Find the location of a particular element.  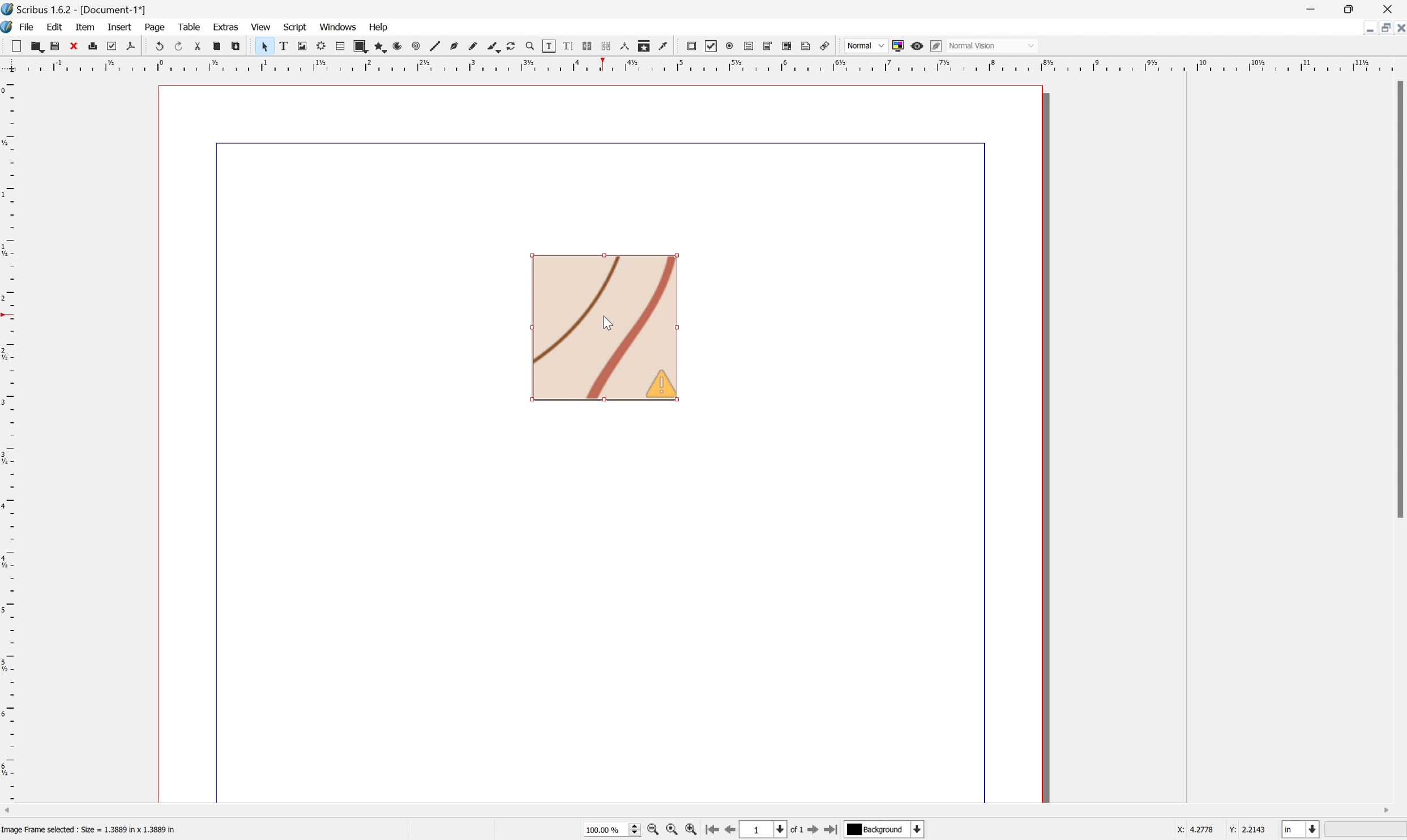

Last Page is located at coordinates (835, 829).